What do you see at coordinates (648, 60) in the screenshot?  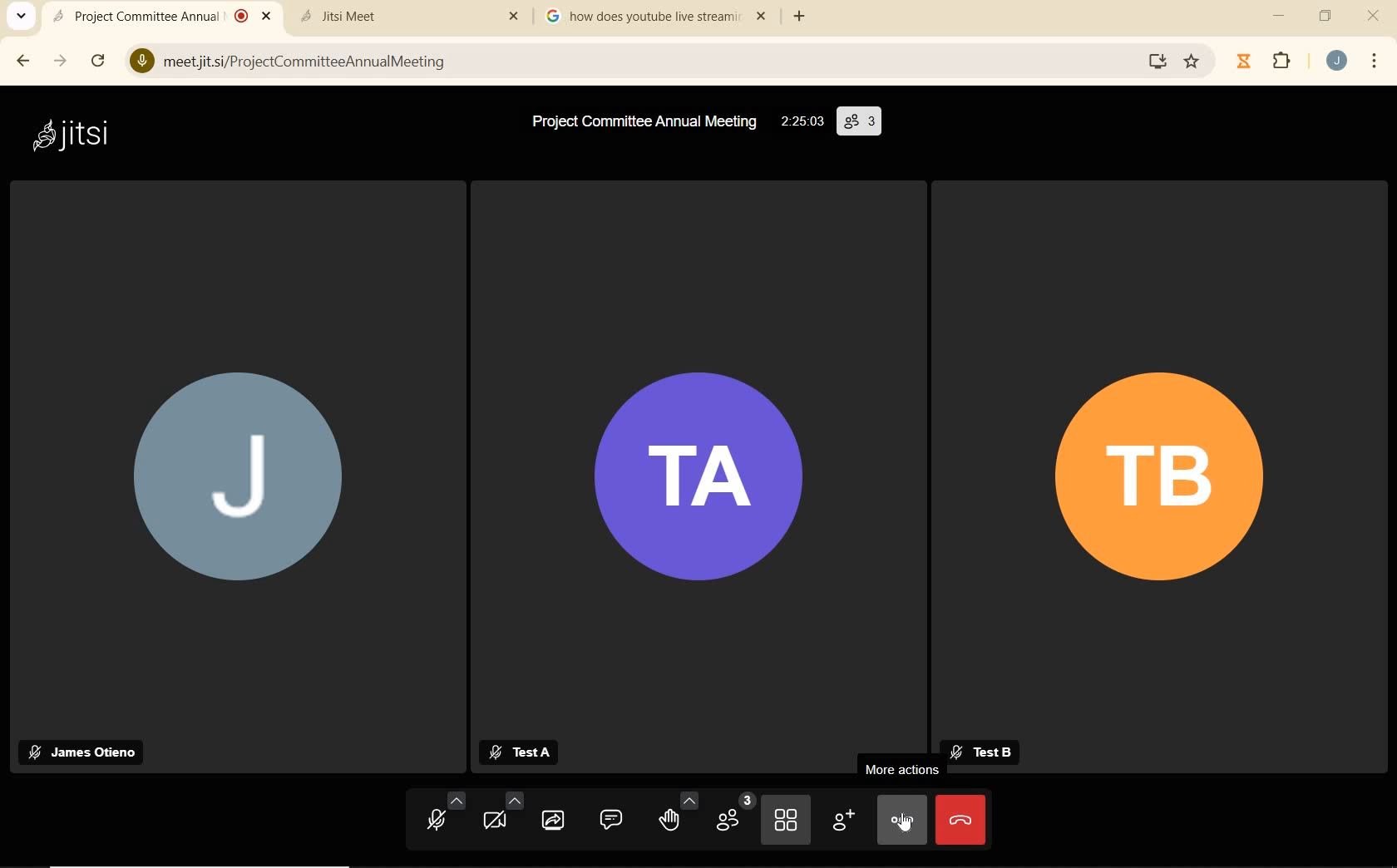 I see `address bar` at bounding box center [648, 60].